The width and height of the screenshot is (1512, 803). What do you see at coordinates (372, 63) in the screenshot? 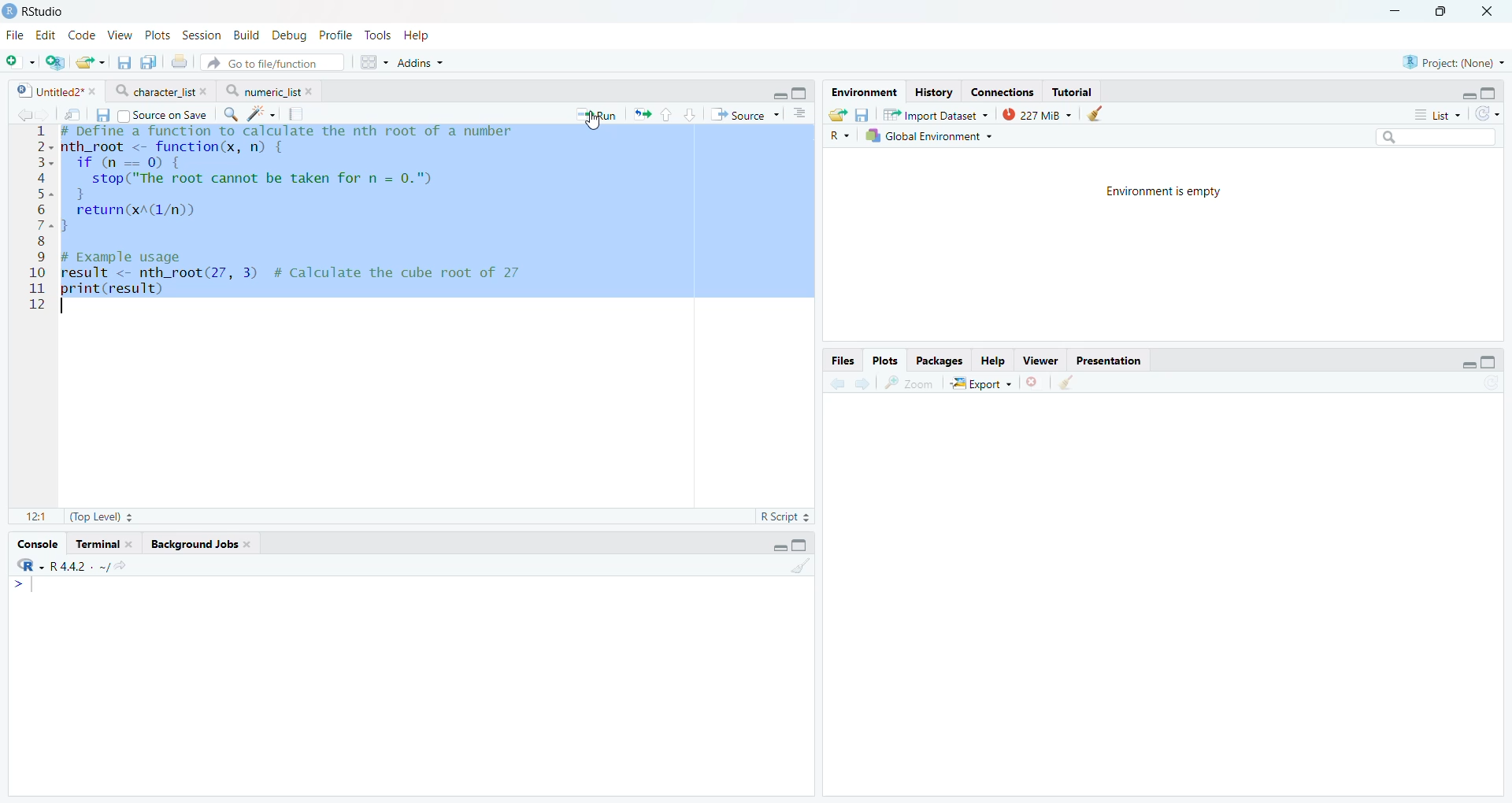
I see `Workspace panes` at bounding box center [372, 63].